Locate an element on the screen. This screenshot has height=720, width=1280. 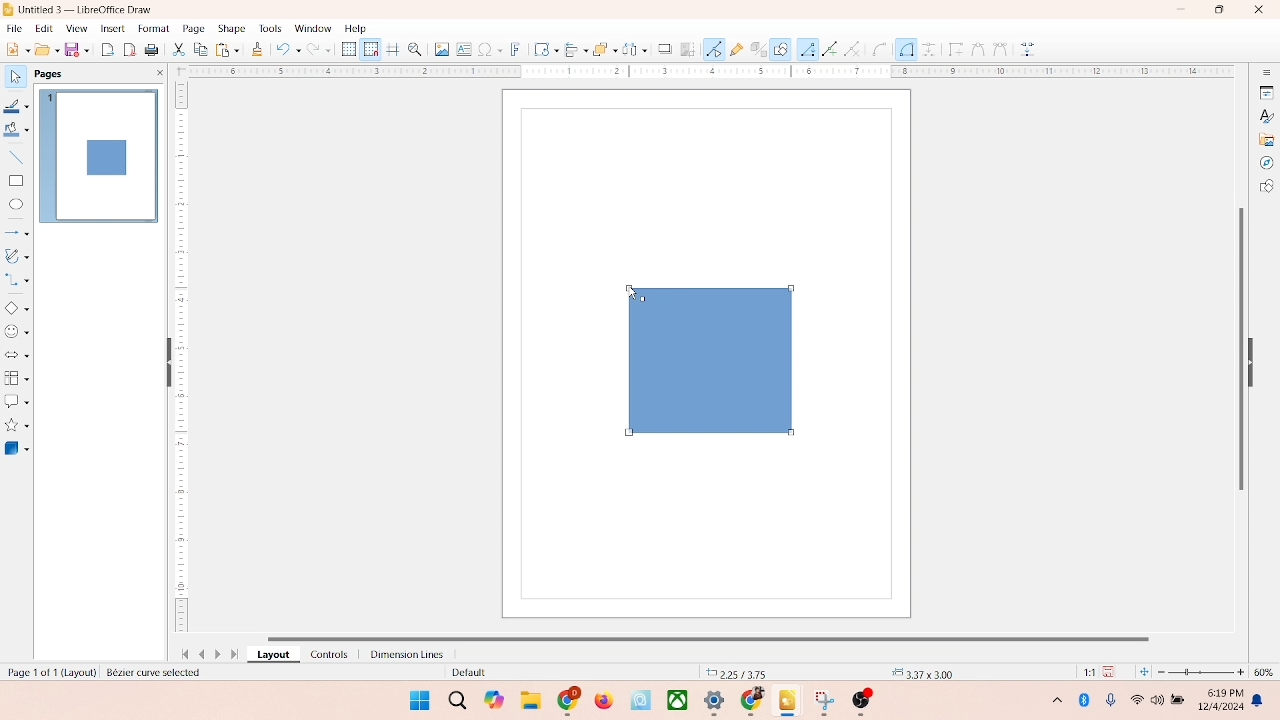
minimize is located at coordinates (1183, 9).